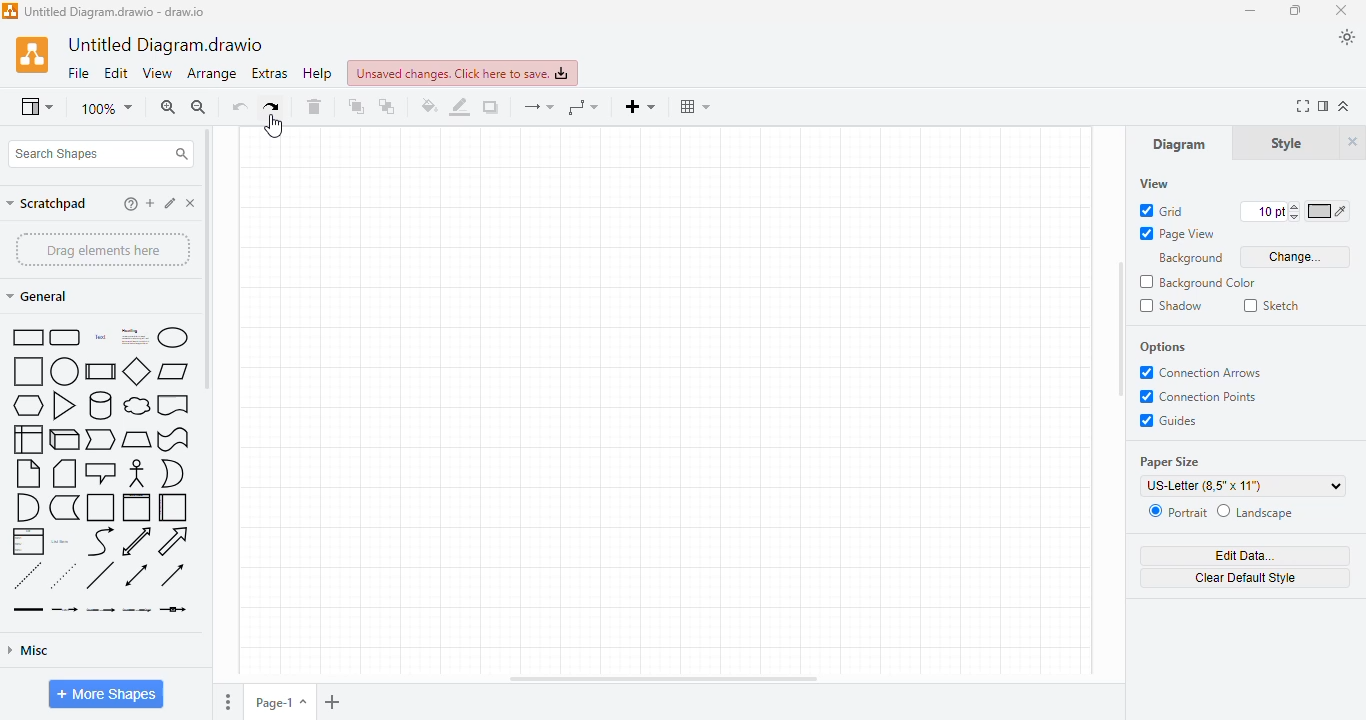 Image resolution: width=1366 pixels, height=720 pixels. Describe the element at coordinates (229, 703) in the screenshot. I see `options` at that location.